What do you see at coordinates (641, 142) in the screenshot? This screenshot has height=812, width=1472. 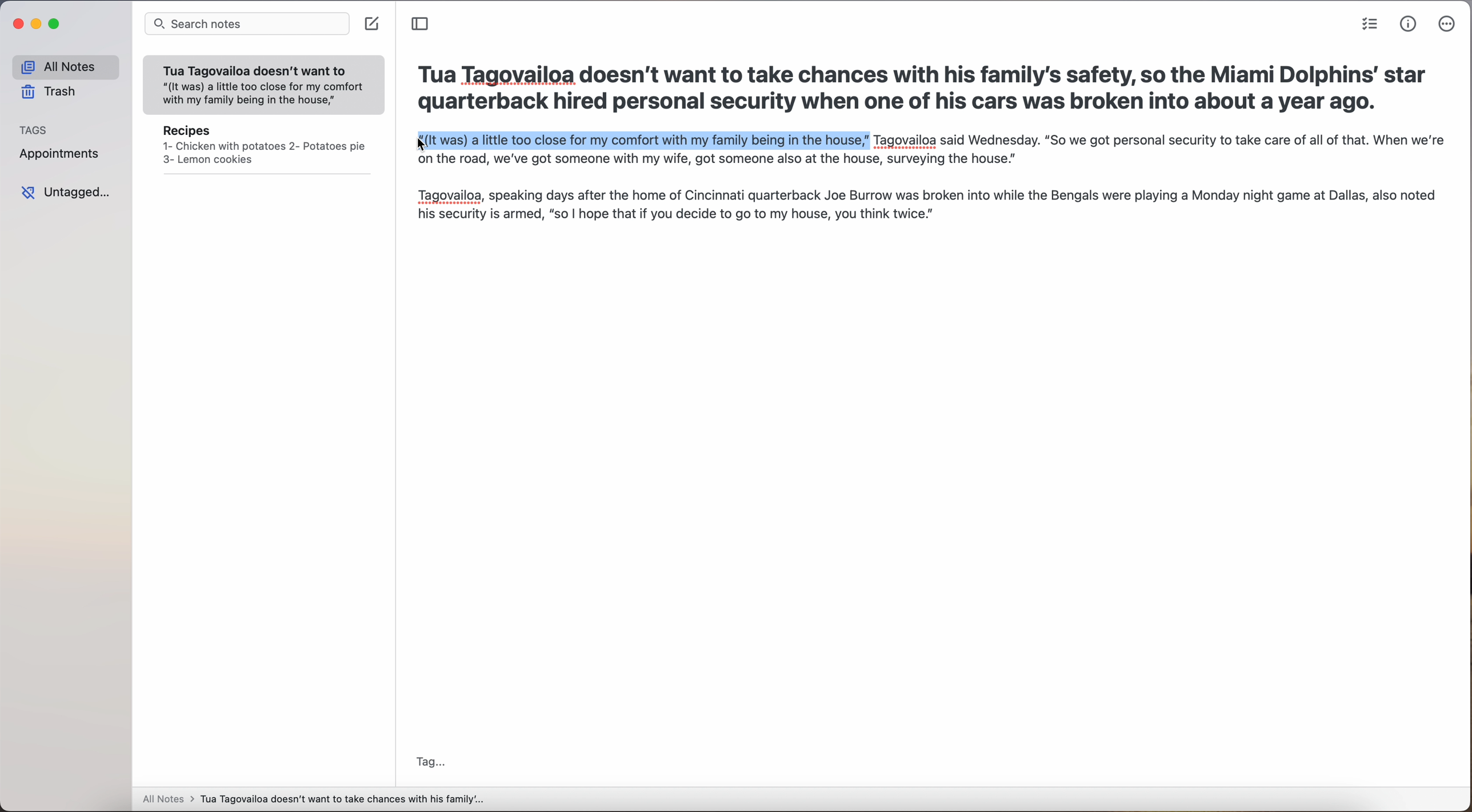 I see `Selected Text` at bounding box center [641, 142].